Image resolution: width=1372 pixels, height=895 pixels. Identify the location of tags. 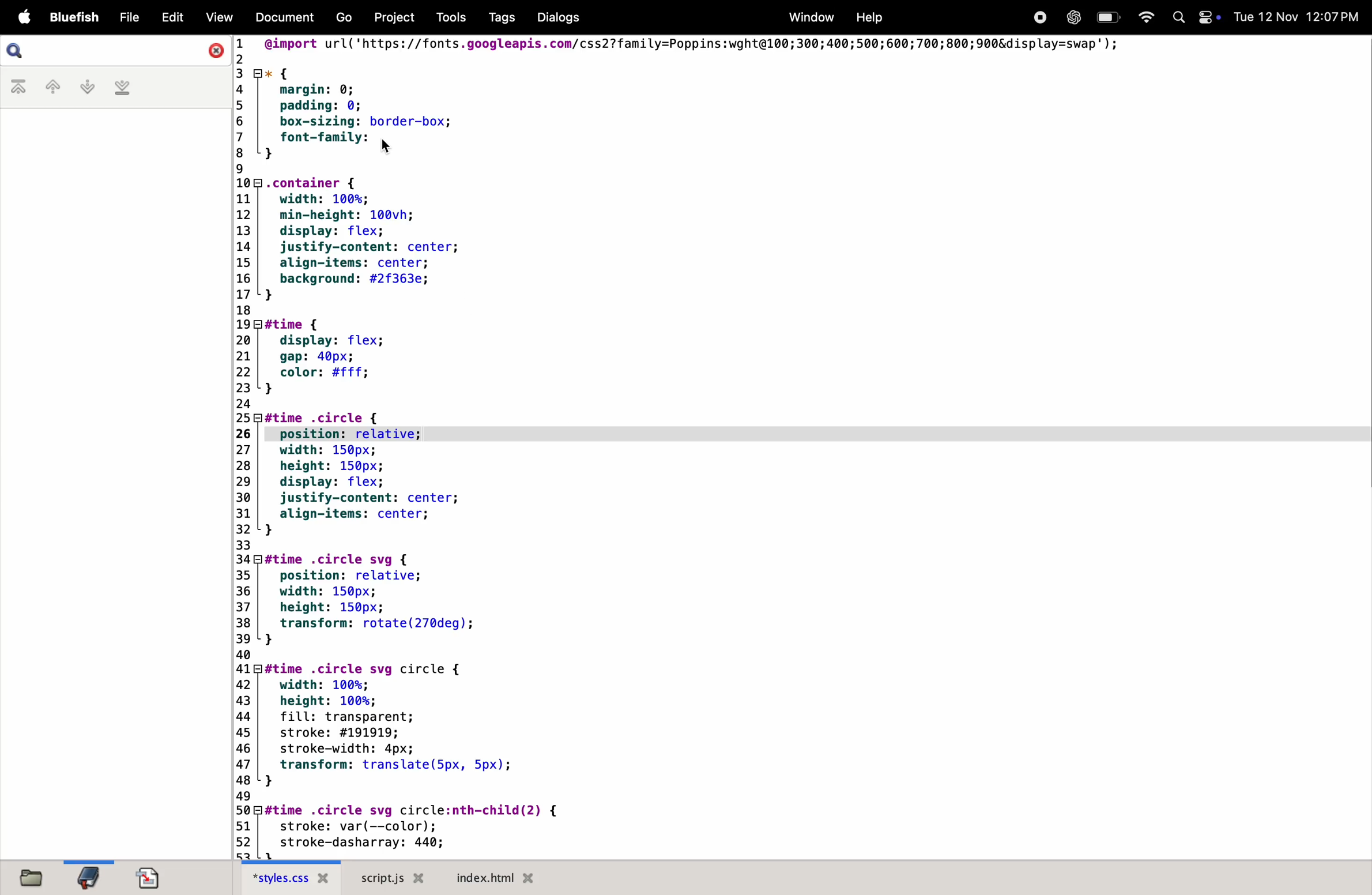
(497, 18).